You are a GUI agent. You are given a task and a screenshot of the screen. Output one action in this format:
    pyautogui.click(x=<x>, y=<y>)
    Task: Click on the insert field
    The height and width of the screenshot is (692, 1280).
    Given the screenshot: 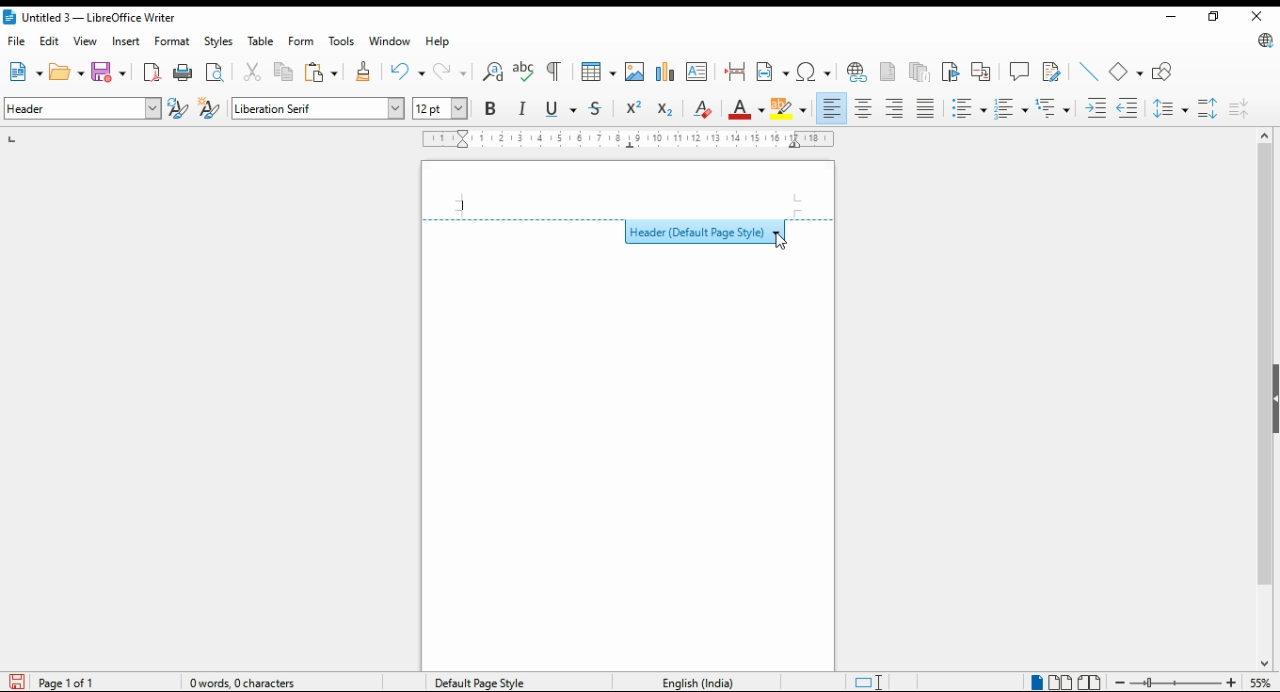 What is the action you would take?
    pyautogui.click(x=773, y=71)
    